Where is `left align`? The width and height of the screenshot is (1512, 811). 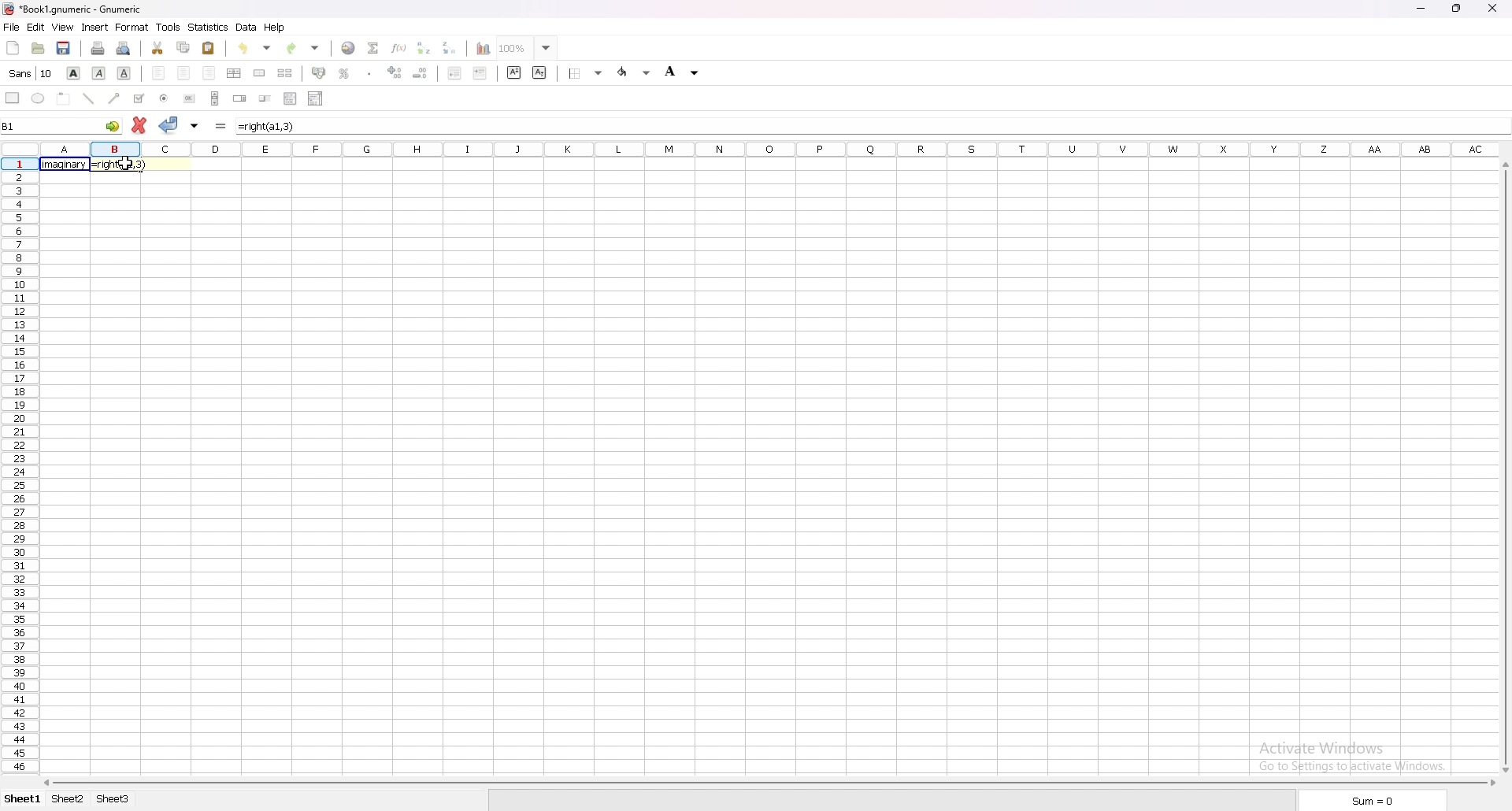
left align is located at coordinates (158, 72).